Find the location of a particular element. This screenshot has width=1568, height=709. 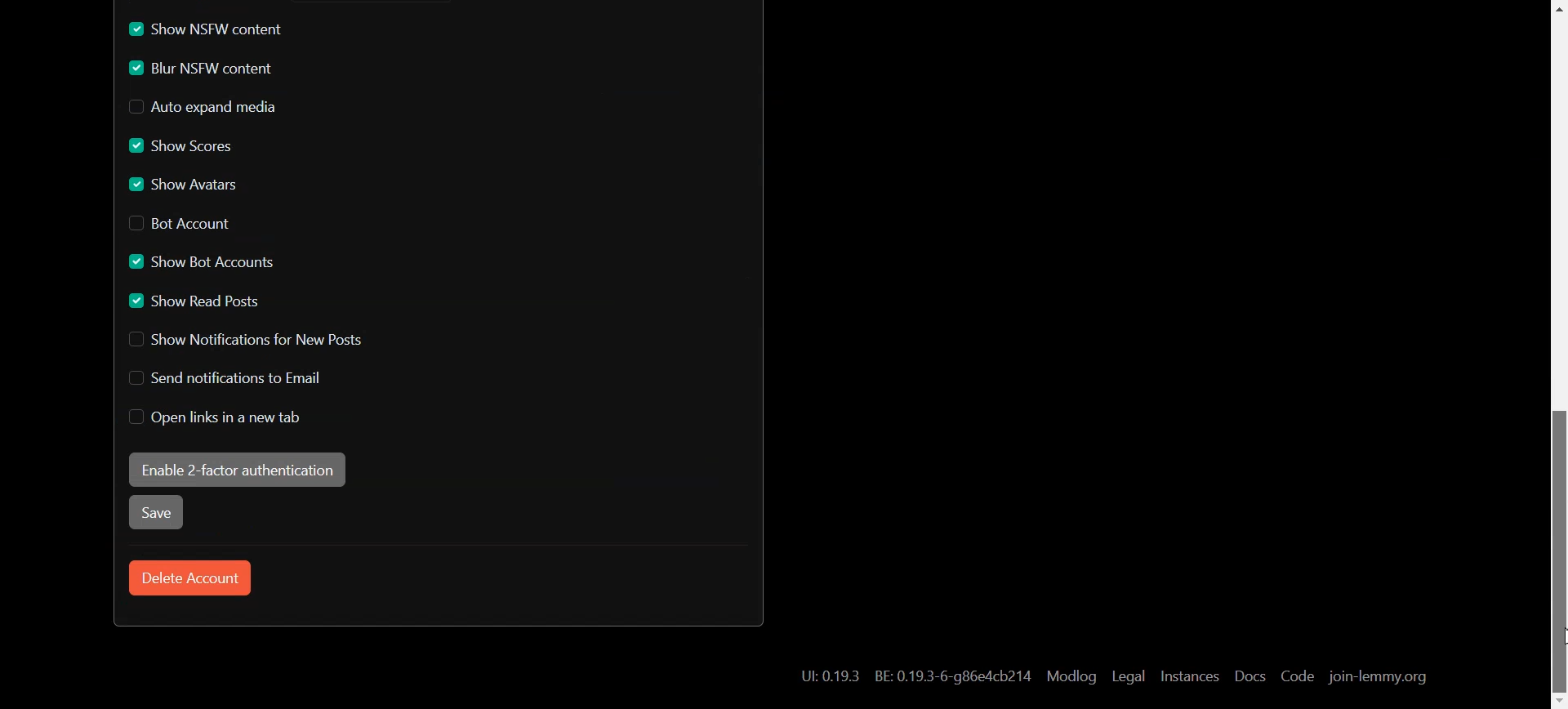

Enable Show NSFW content is located at coordinates (229, 29).